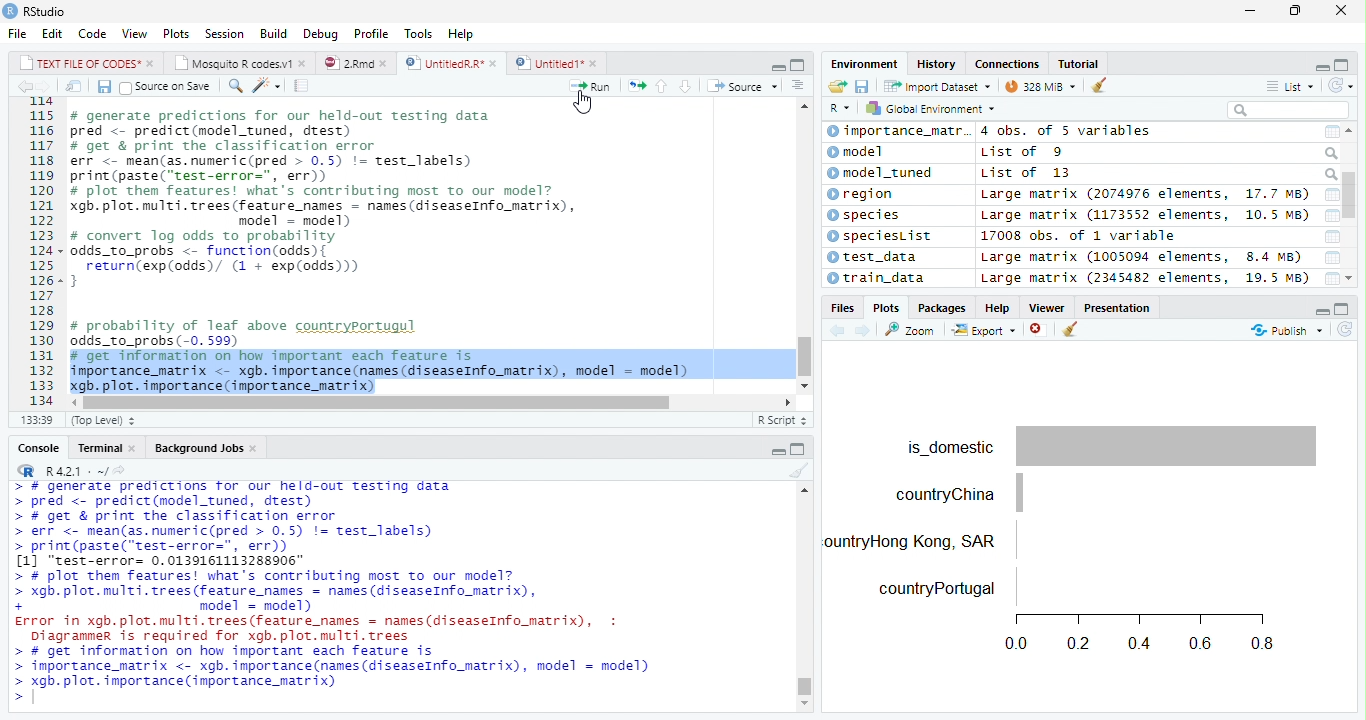 This screenshot has height=720, width=1366. Describe the element at coordinates (334, 204) in the screenshot. I see `# generate predictions for our held-out testing data
pred <- predict(model_tuned, drest)
# get & print the classification error
err <- mean(as.numeric(pred > 0.5) != test_labels)
print (paste(“test-error=", err))
# plot them features! what's contributing most to our model?
gb. plot. multi. trees (feature_names = names (diseaseInfo_matrix),
model = model)
# convert log odds to probability
odds_to_probs <- function(odds){
return(exp(odds)/ (1 + exp(0dds)))
3` at that location.